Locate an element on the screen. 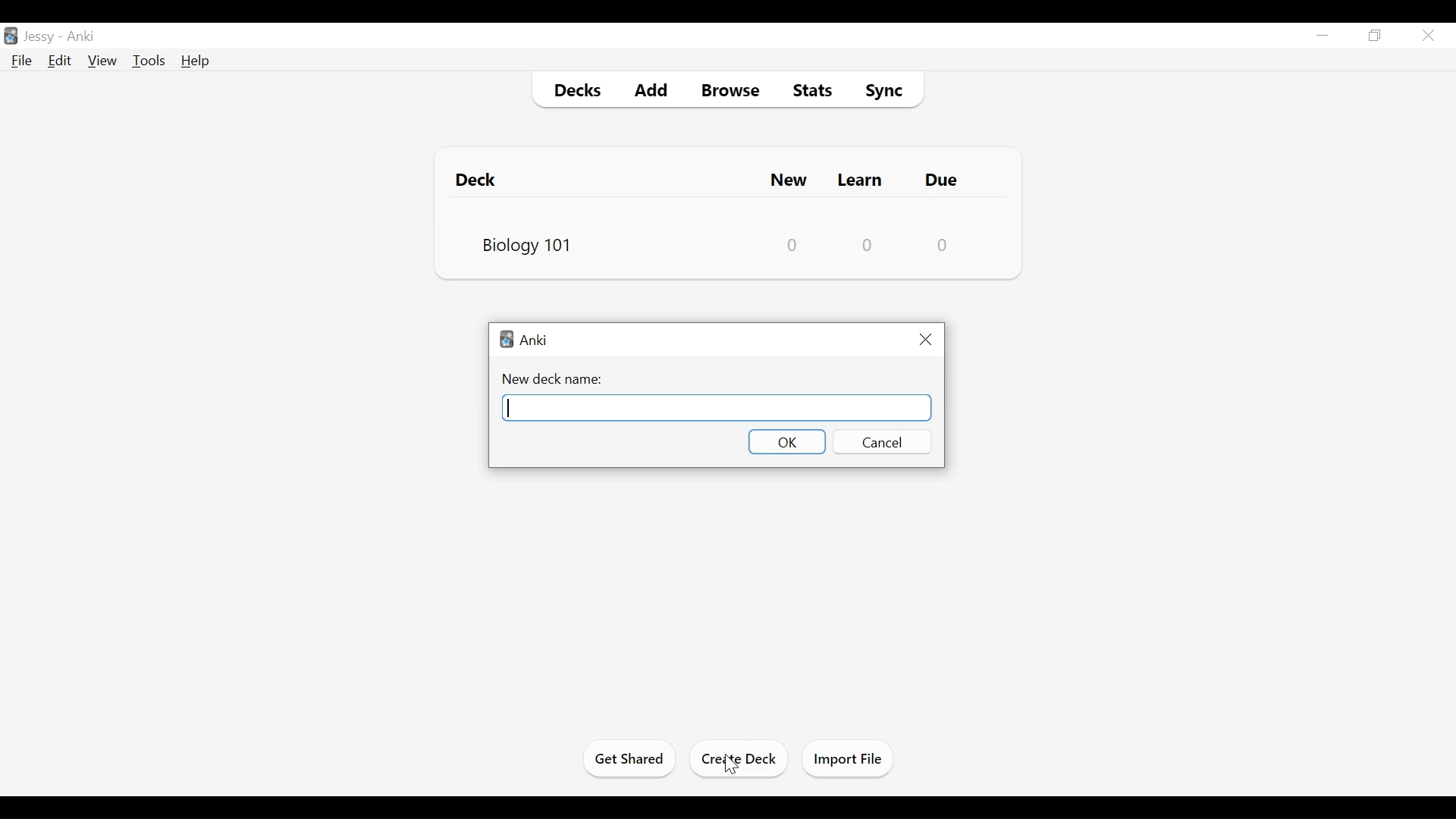 Image resolution: width=1456 pixels, height=819 pixels. New Deck Name Field is located at coordinates (718, 408).